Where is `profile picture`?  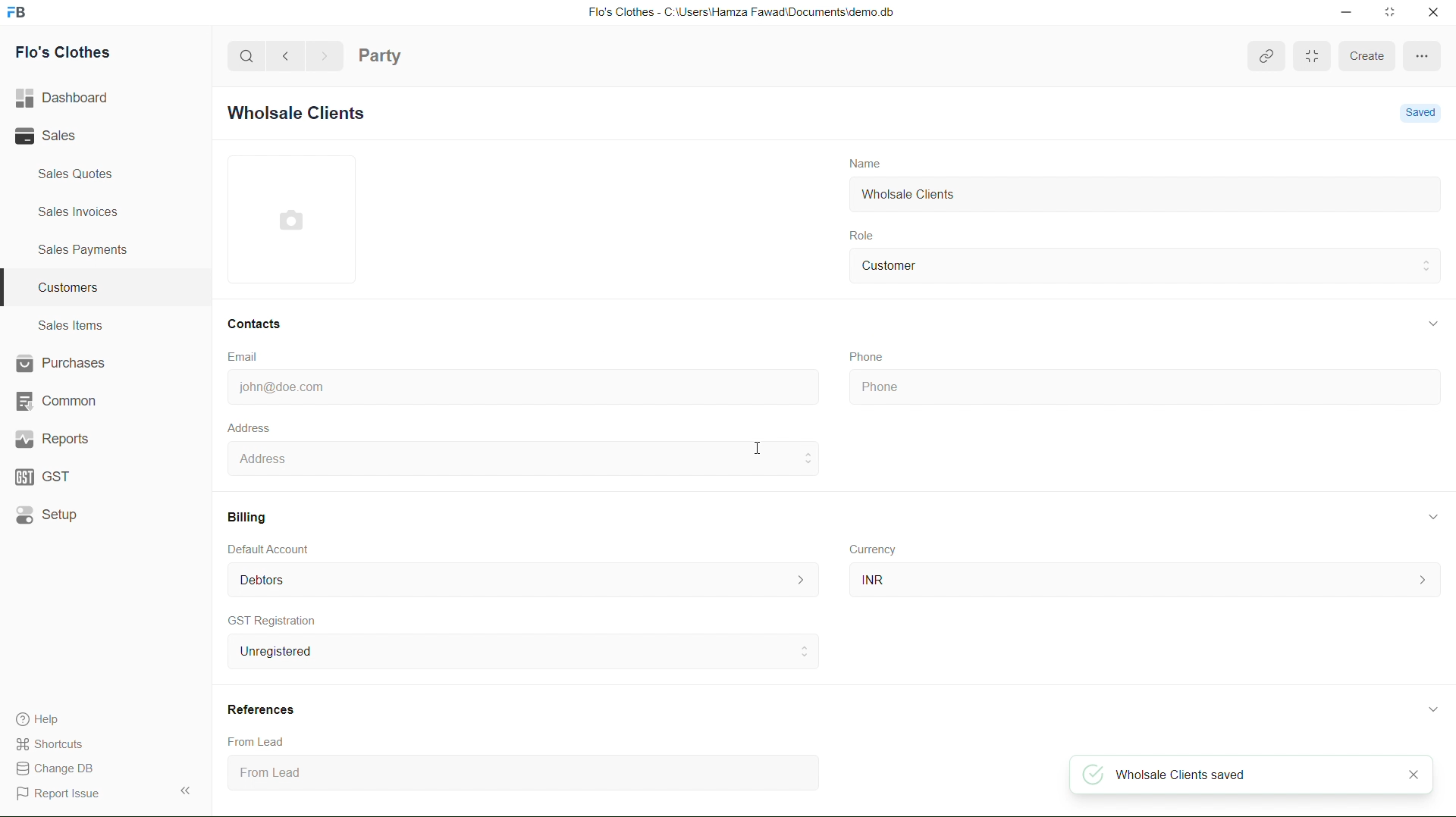 profile picture is located at coordinates (293, 221).